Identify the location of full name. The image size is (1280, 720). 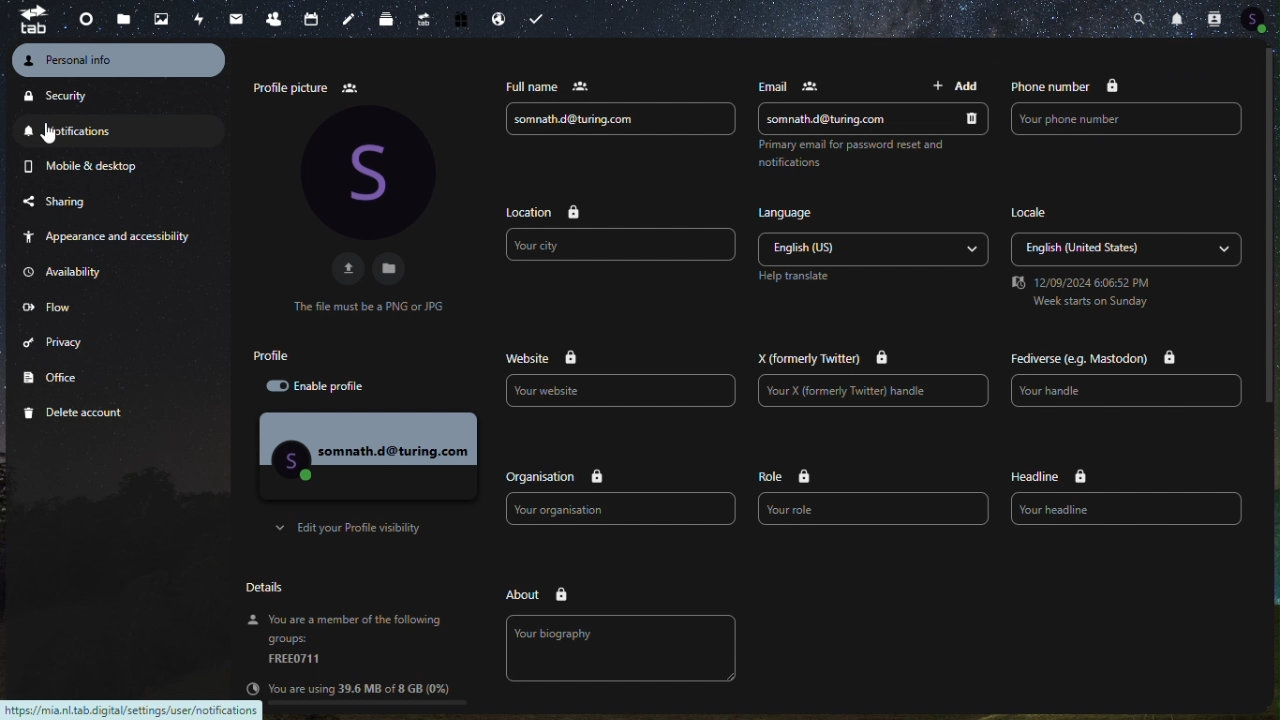
(544, 85).